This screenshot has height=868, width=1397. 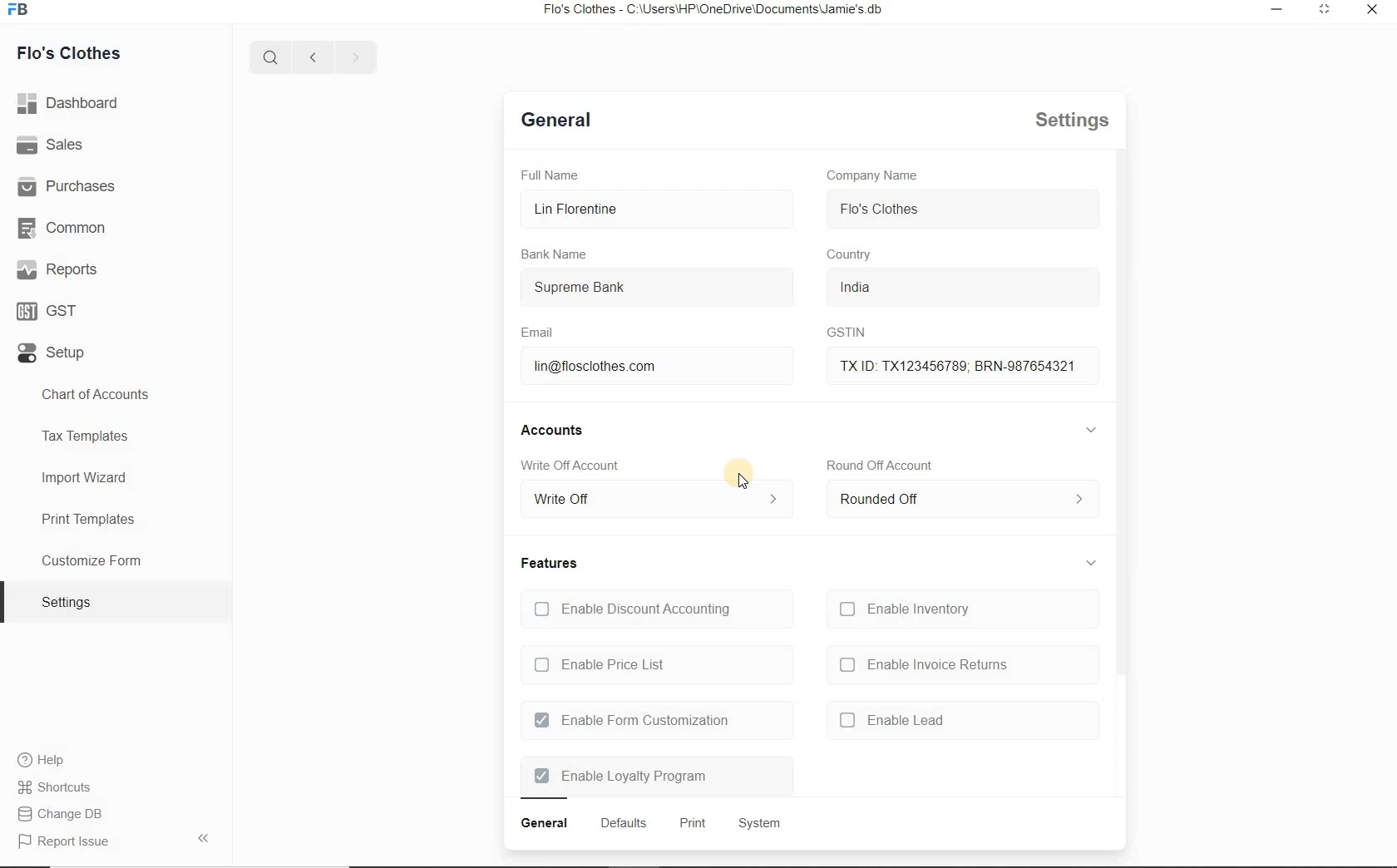 I want to click on Features, so click(x=545, y=565).